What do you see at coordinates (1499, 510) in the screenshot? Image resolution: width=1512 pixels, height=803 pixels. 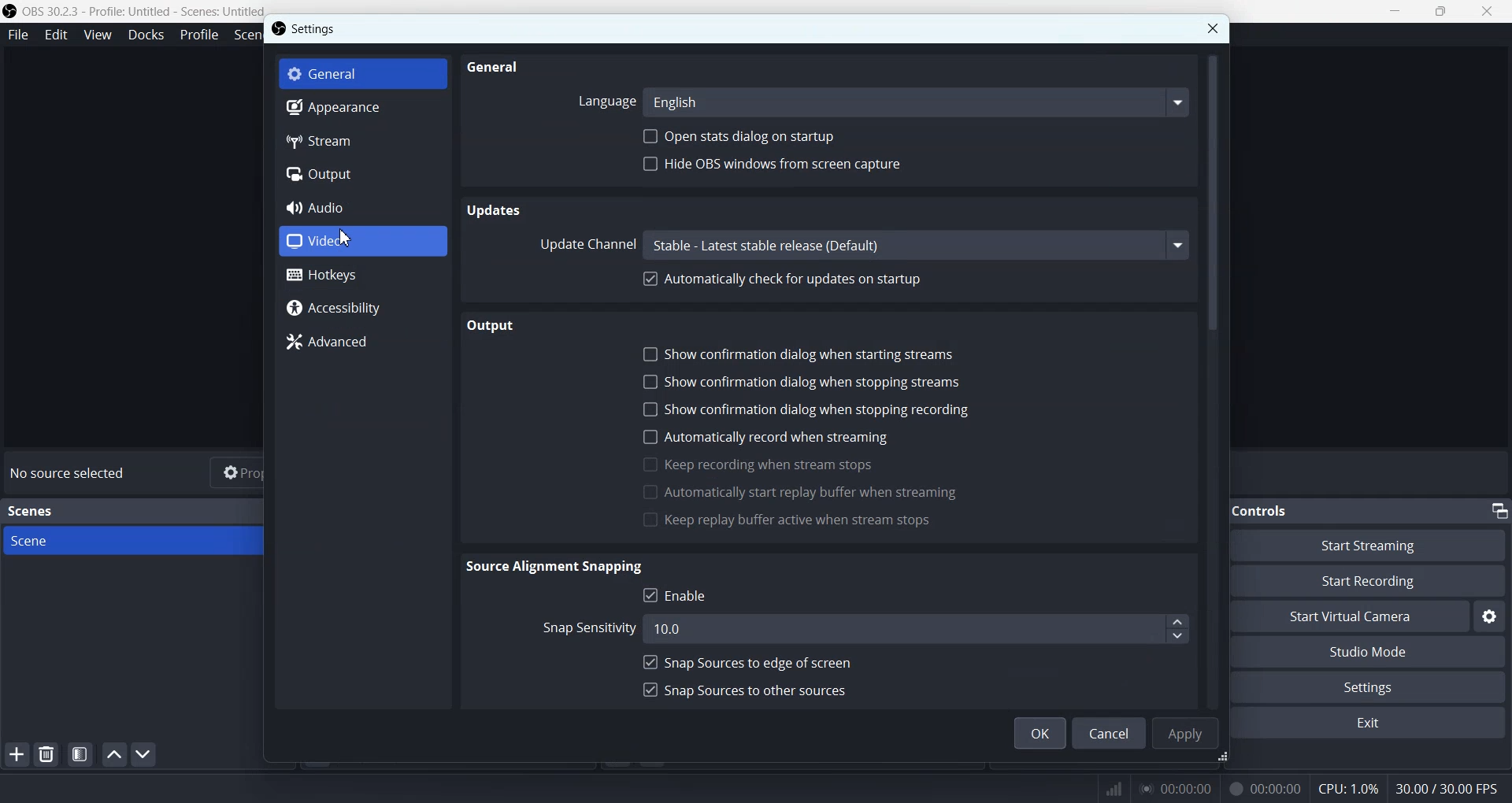 I see `Minimize` at bounding box center [1499, 510].